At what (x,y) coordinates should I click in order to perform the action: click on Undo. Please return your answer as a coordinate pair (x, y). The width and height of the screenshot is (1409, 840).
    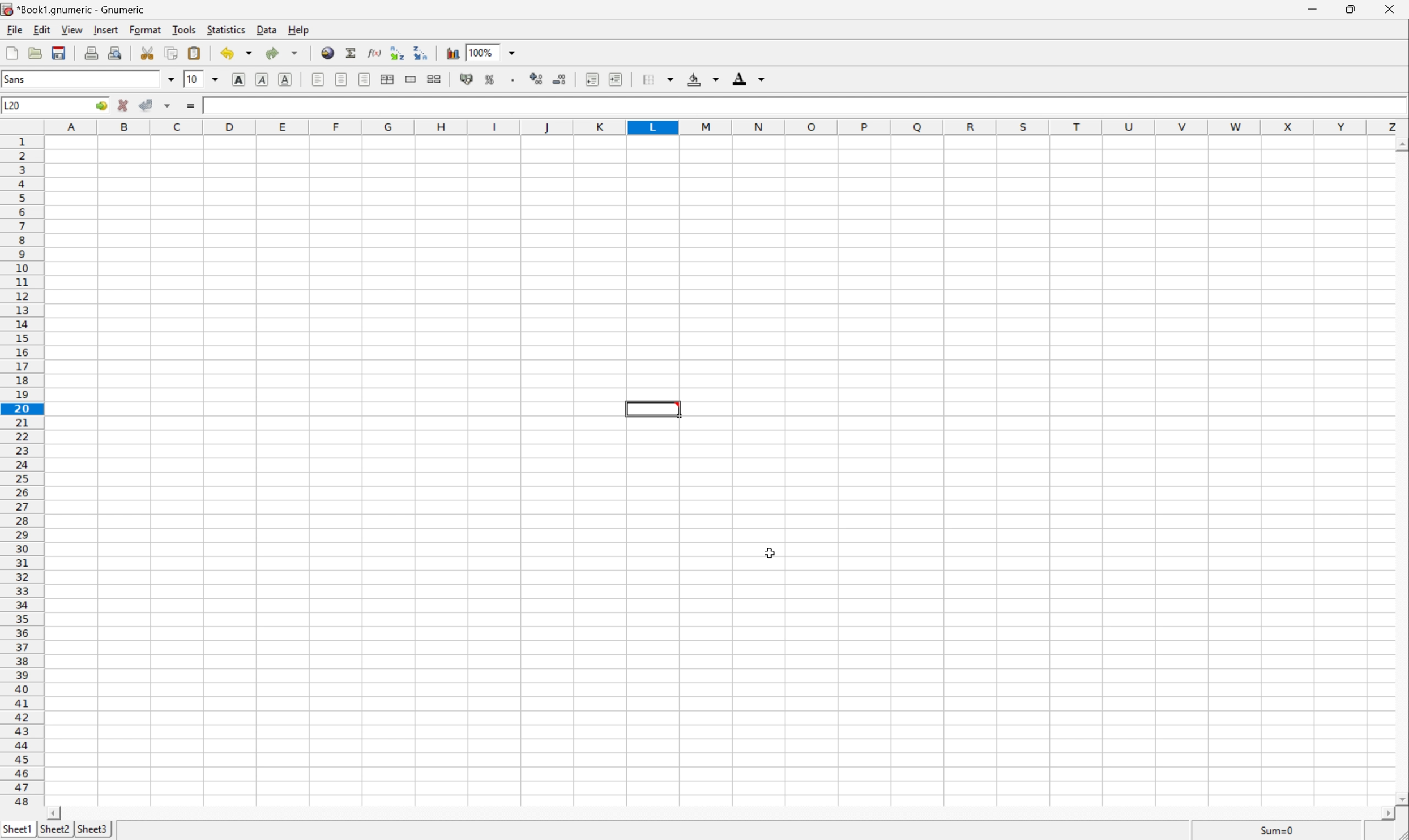
    Looking at the image, I should click on (234, 53).